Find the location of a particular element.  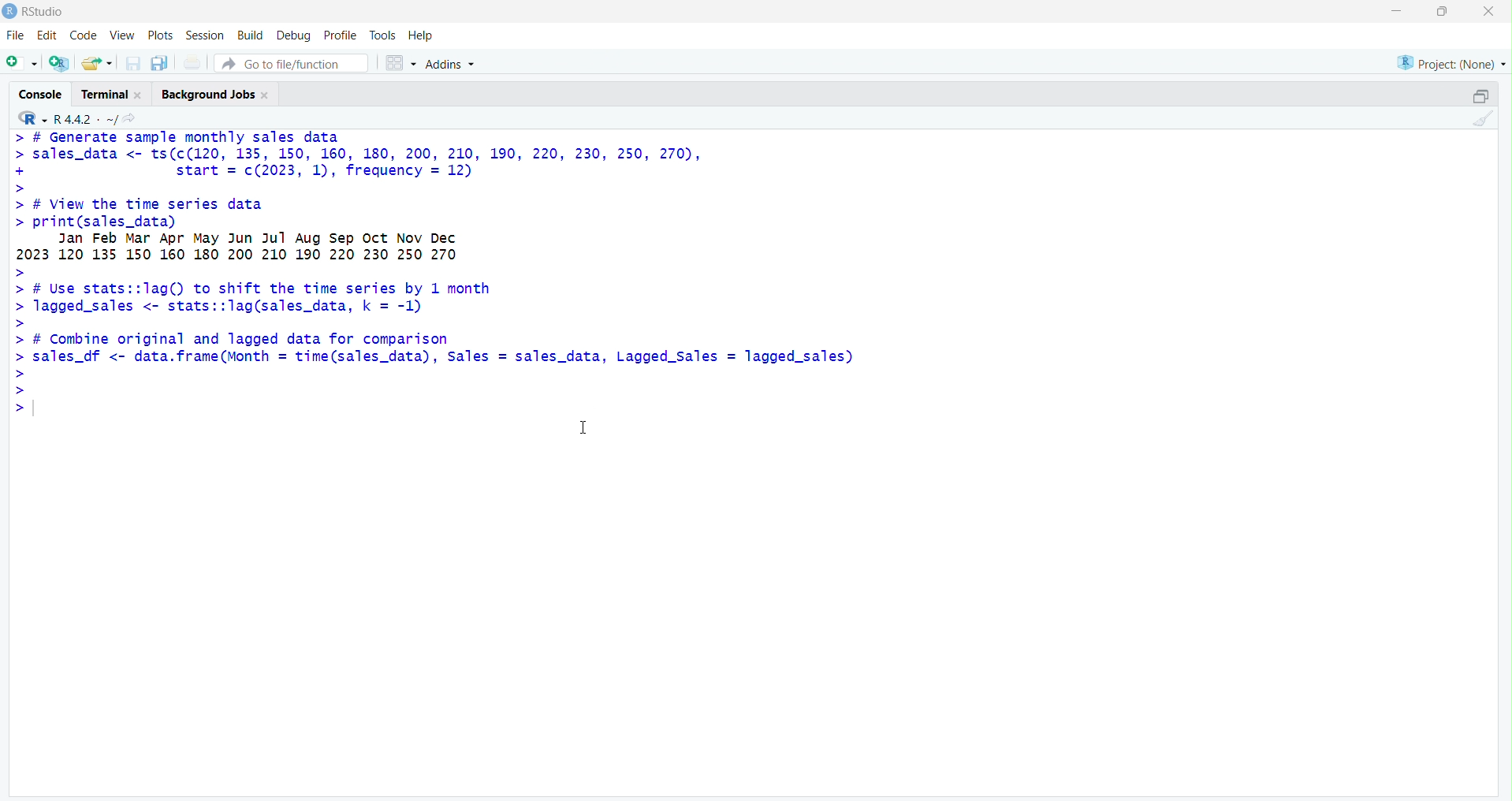

track is located at coordinates (384, 34).